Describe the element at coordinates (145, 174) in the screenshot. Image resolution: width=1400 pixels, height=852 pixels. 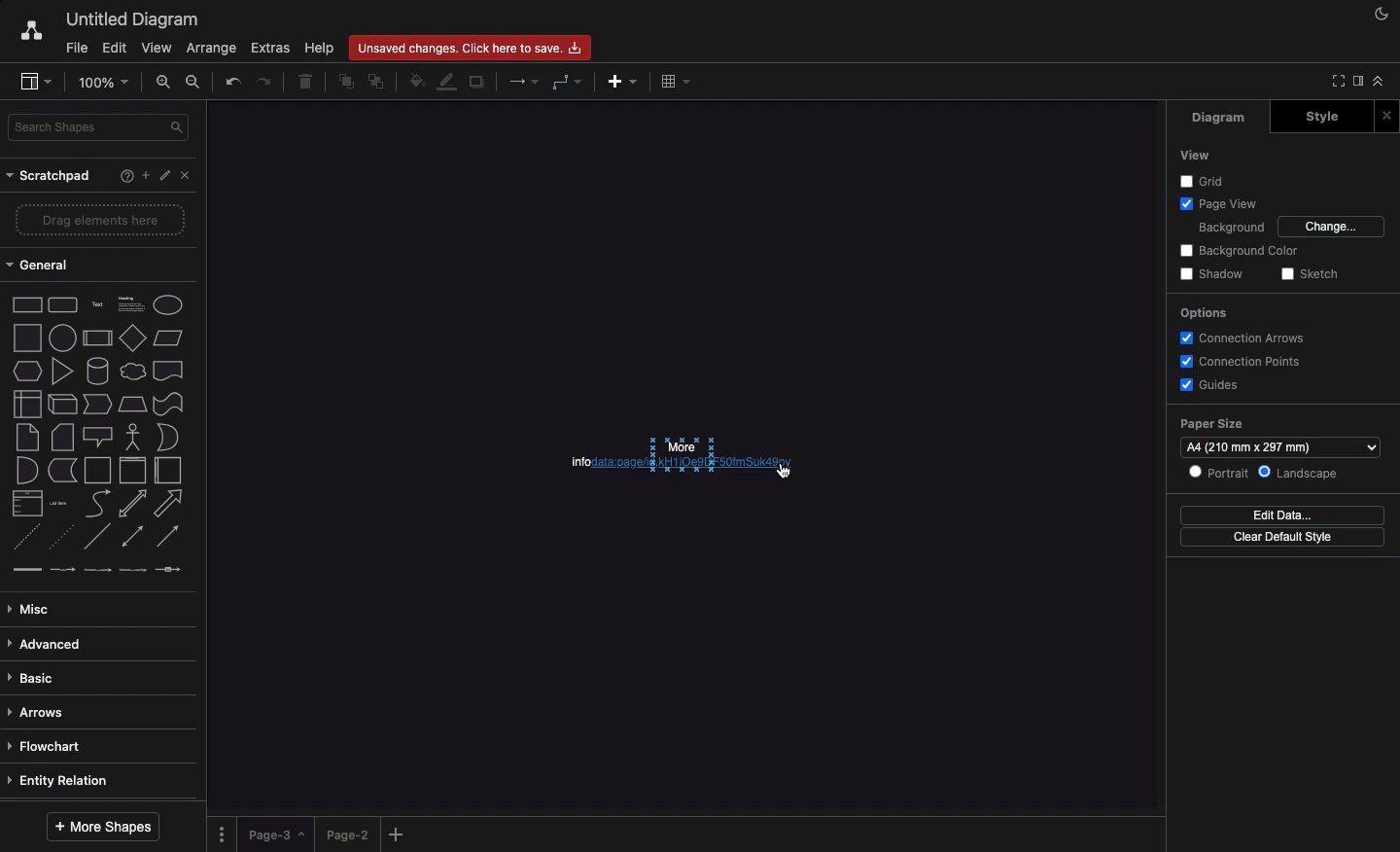
I see `Add` at that location.